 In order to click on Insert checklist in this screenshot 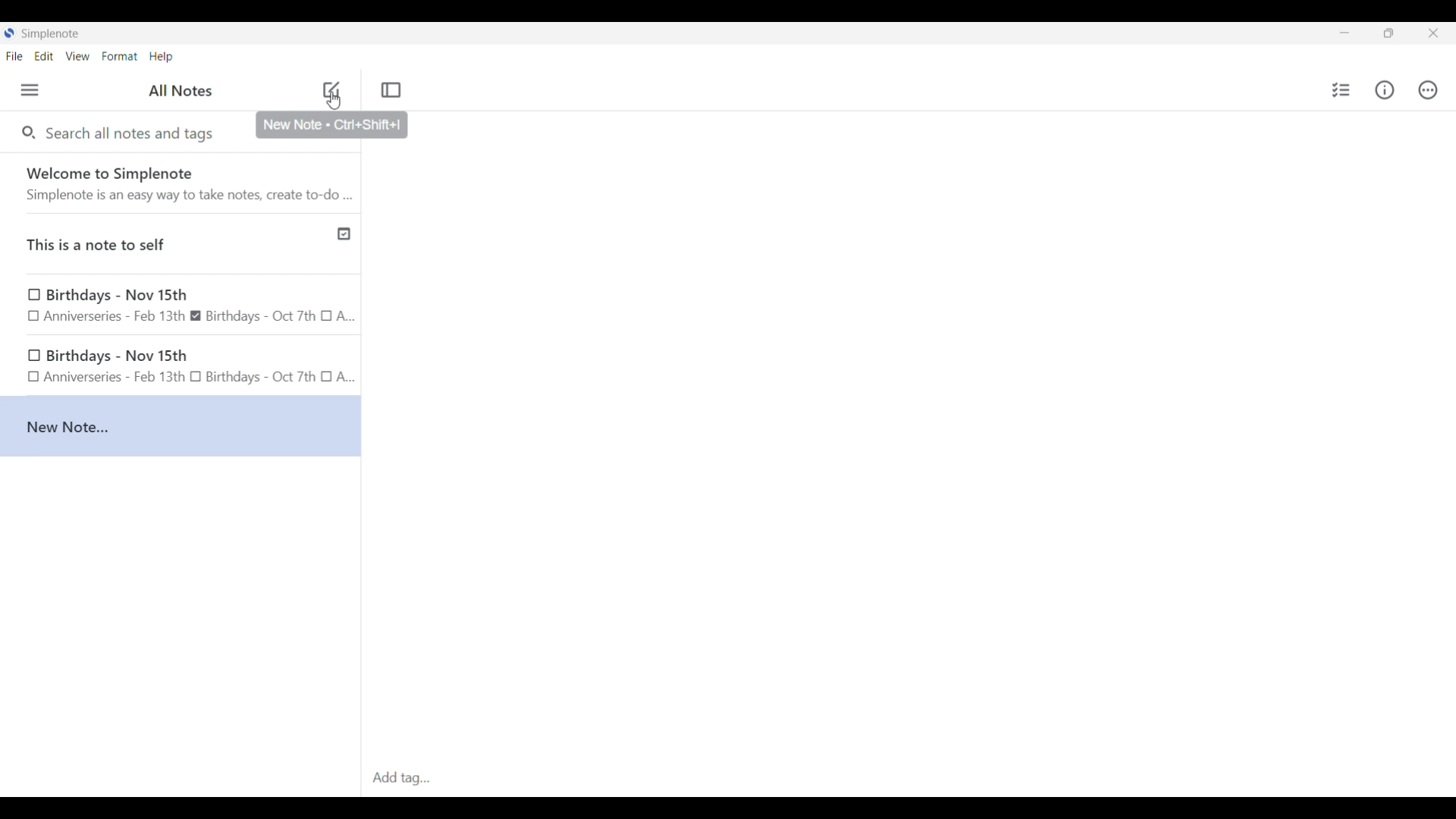, I will do `click(1342, 90)`.